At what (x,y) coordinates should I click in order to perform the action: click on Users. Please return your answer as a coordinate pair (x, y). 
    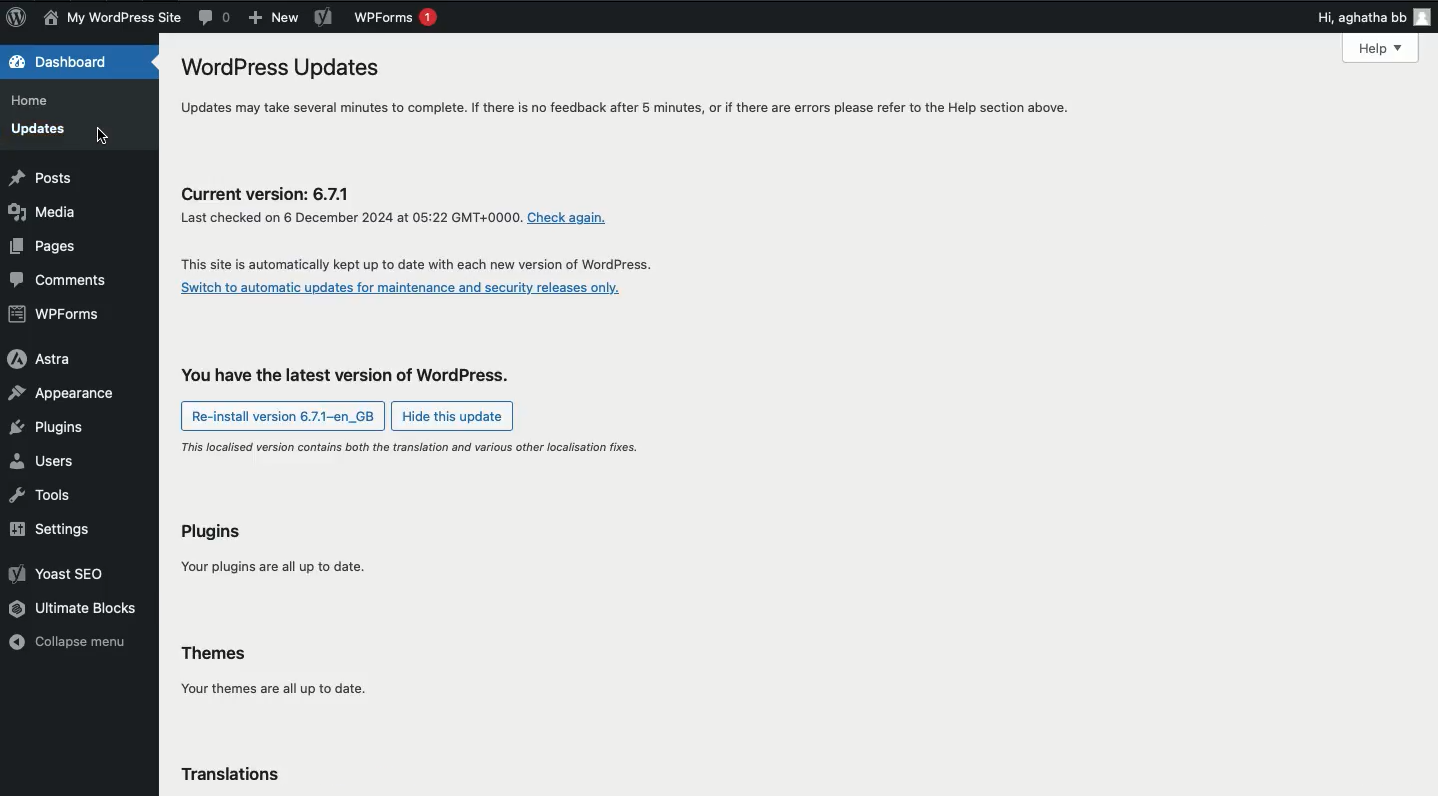
    Looking at the image, I should click on (45, 460).